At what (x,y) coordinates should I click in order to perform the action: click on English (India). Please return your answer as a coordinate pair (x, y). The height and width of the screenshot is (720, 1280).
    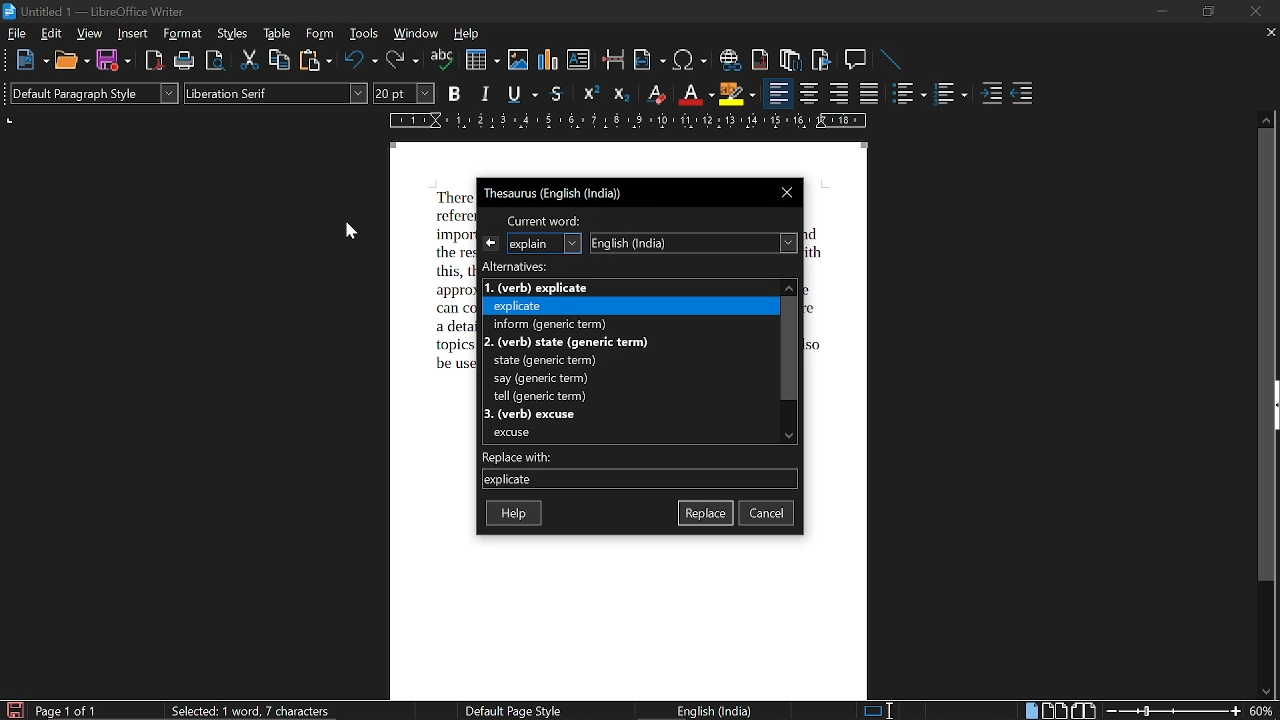
    Looking at the image, I should click on (695, 243).